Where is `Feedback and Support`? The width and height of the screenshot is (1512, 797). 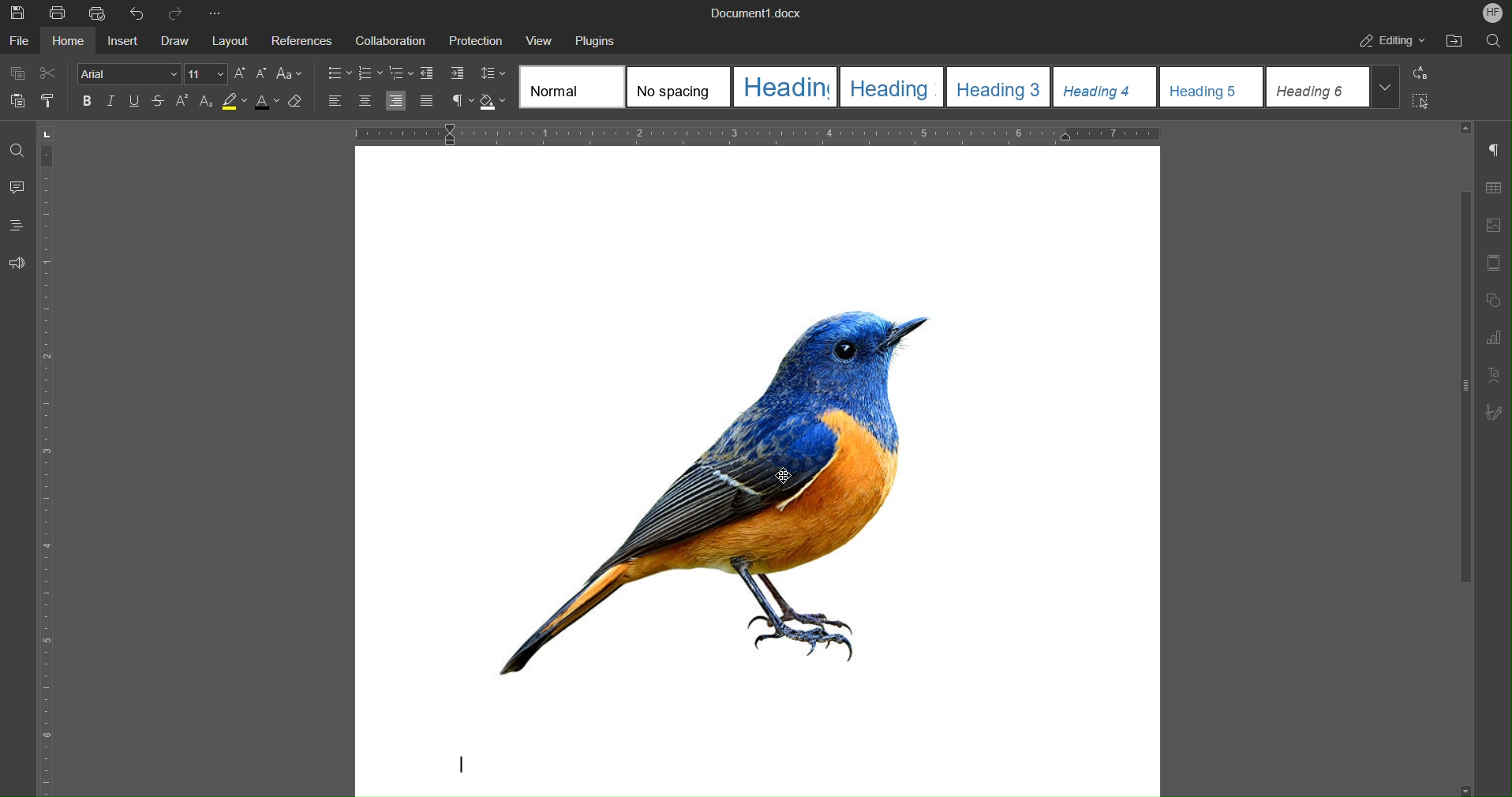
Feedback and Support is located at coordinates (16, 262).